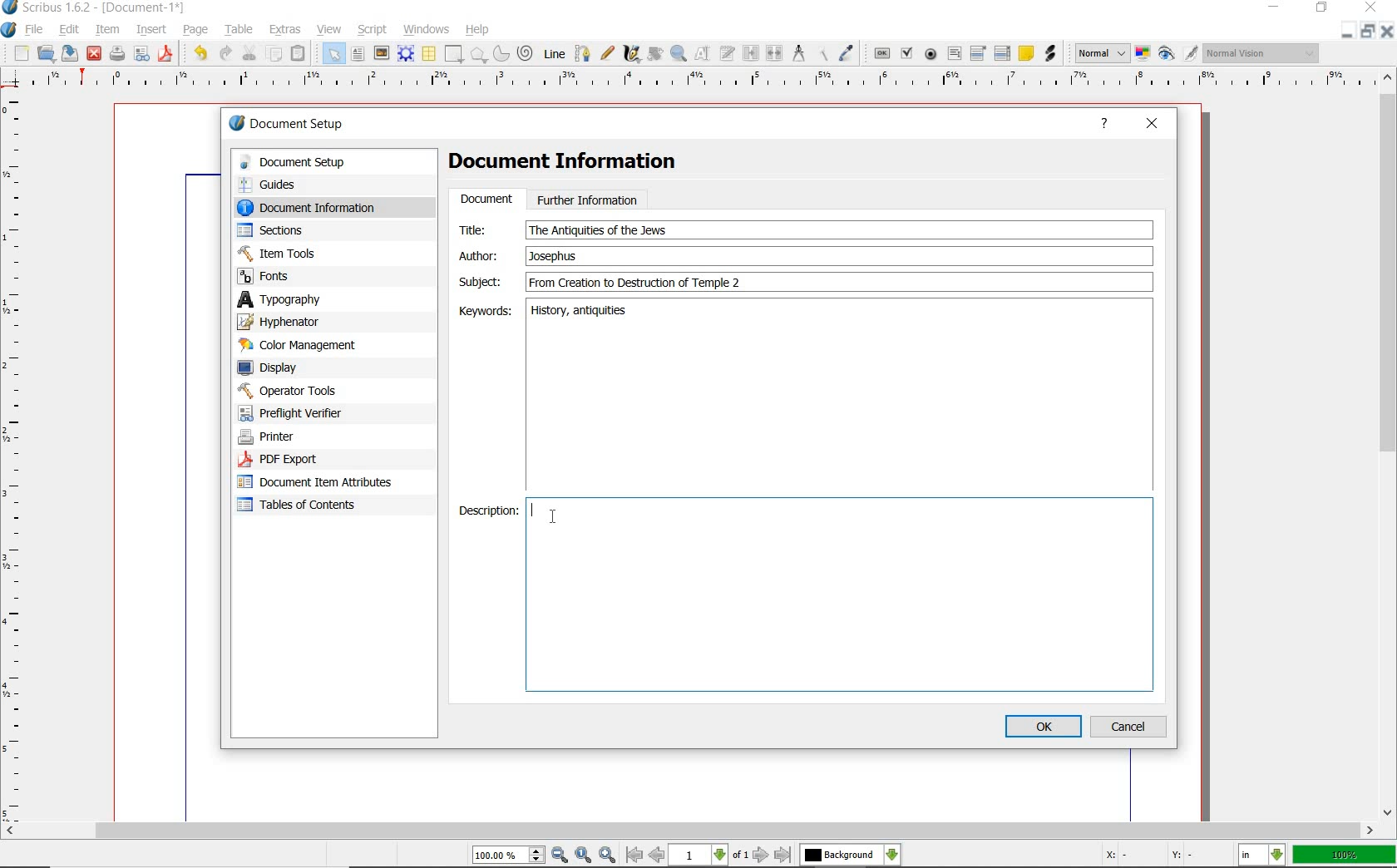 This screenshot has width=1397, height=868. What do you see at coordinates (1349, 29) in the screenshot?
I see `close/restore/minimize` at bounding box center [1349, 29].